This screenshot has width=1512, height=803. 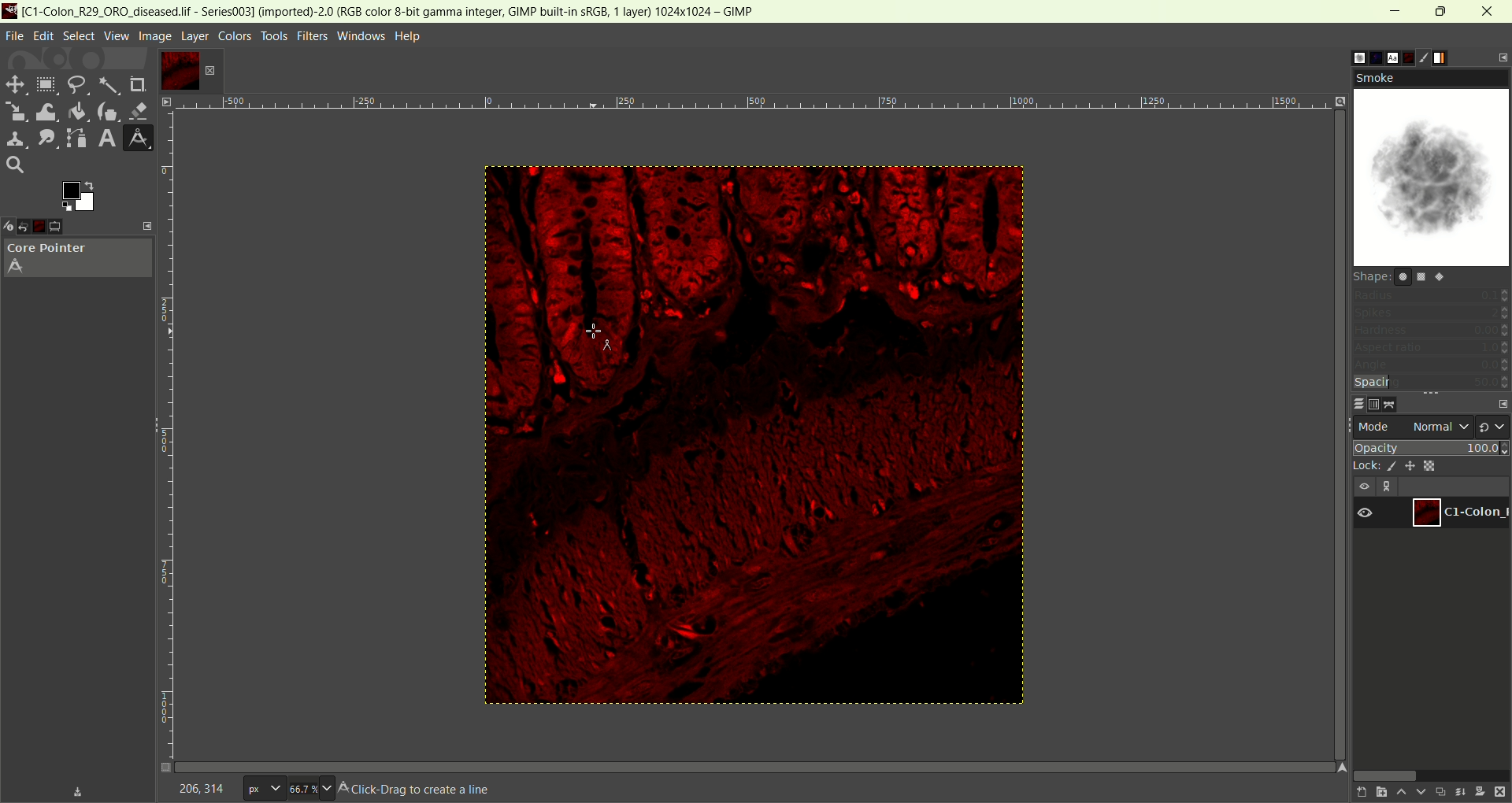 I want to click on zoom factor, so click(x=312, y=787).